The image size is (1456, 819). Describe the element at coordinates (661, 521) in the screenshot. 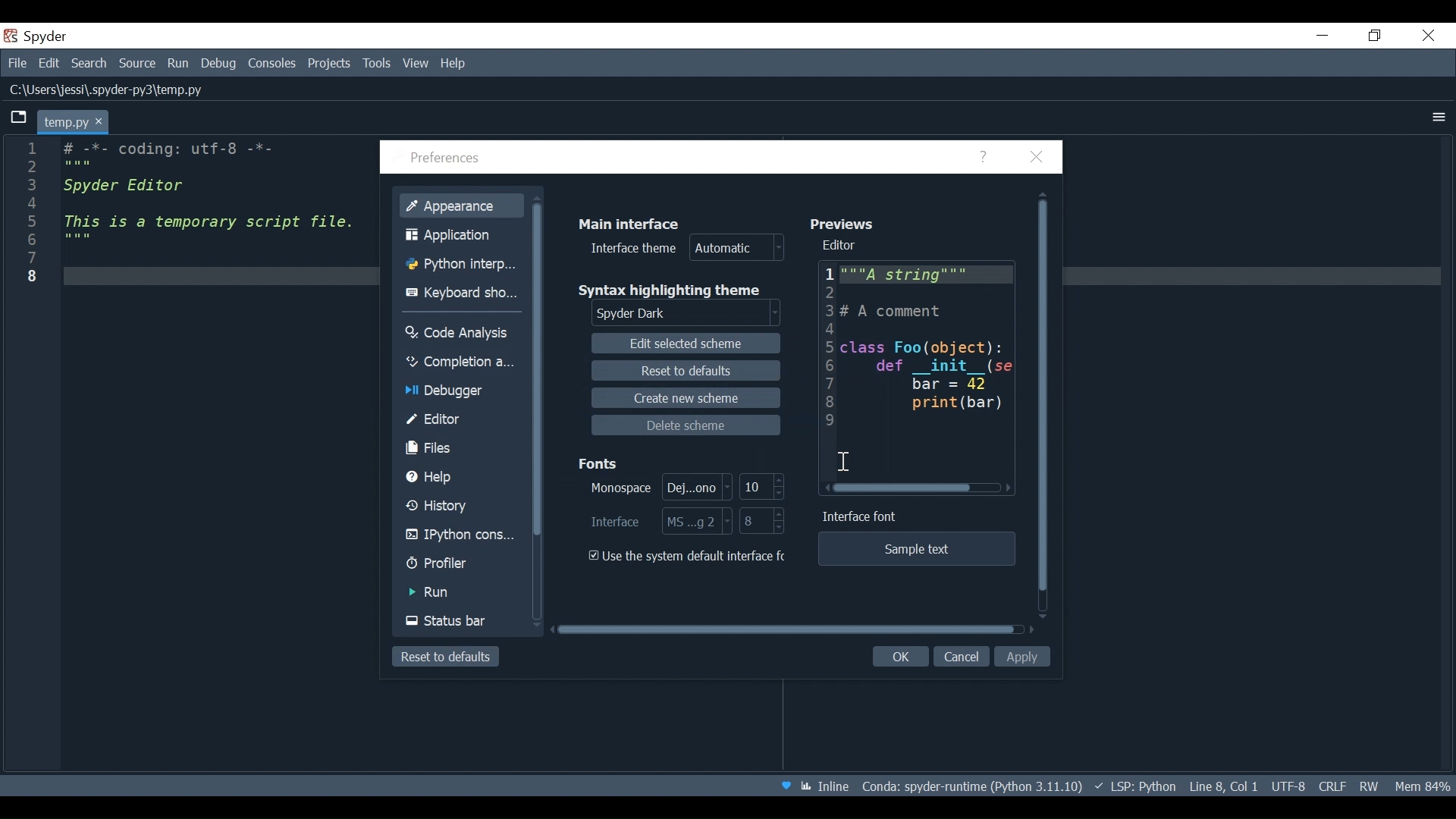

I see `Select Interface Font` at that location.